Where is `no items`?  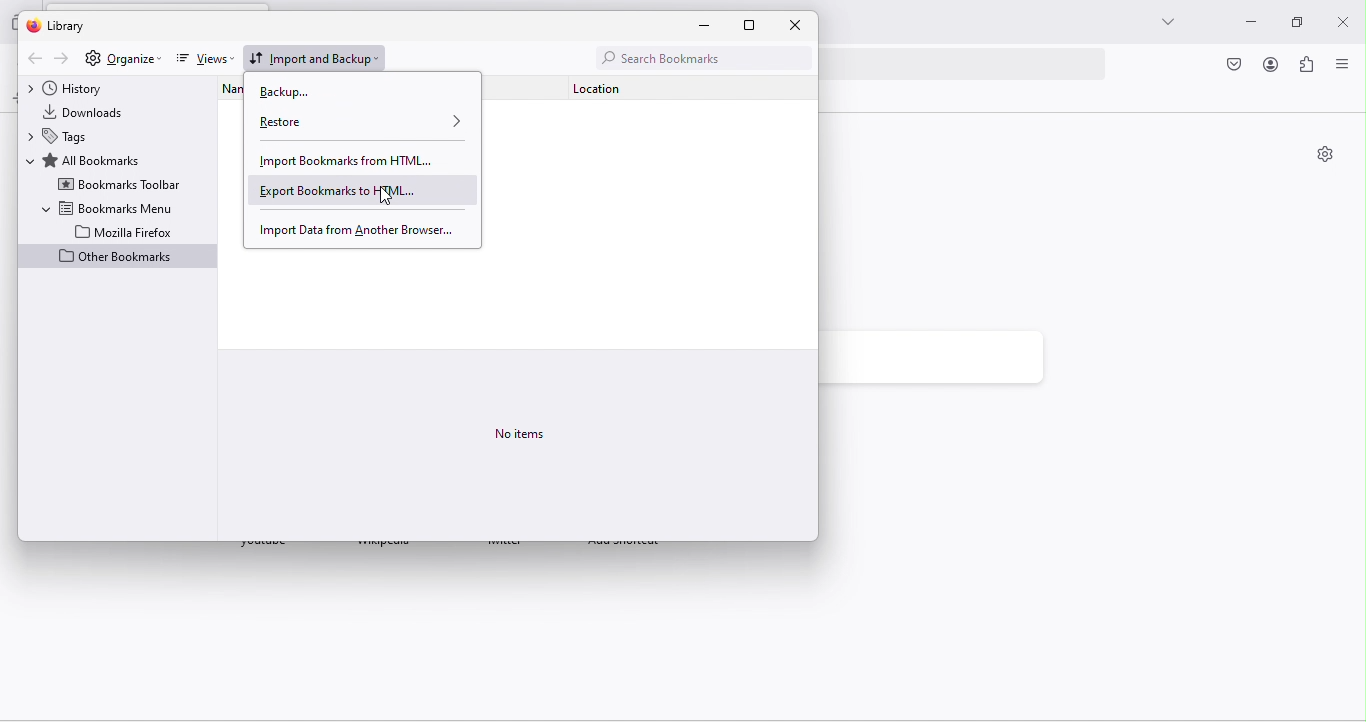 no items is located at coordinates (520, 433).